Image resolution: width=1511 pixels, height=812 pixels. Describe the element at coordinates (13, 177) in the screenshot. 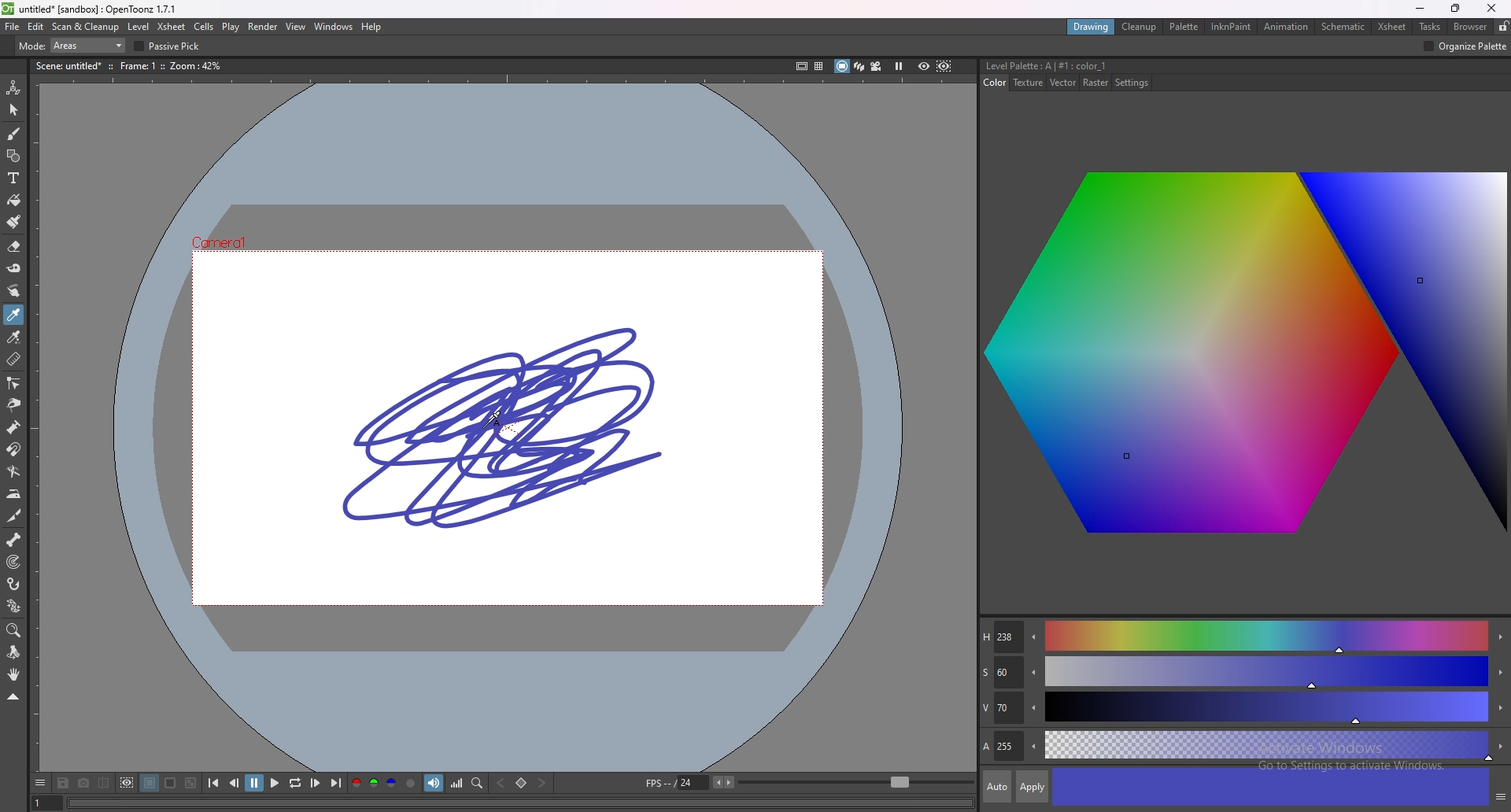

I see `type tool` at that location.